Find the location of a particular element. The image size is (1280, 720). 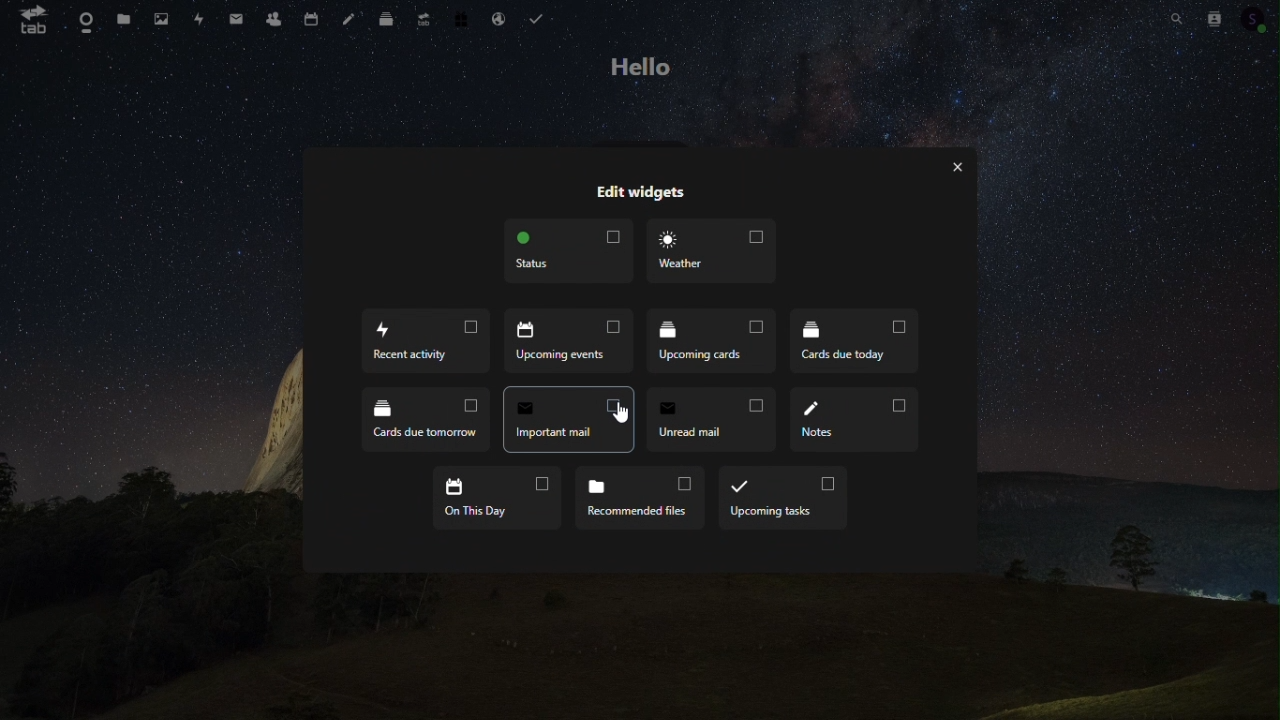

Upcoming events is located at coordinates (573, 342).